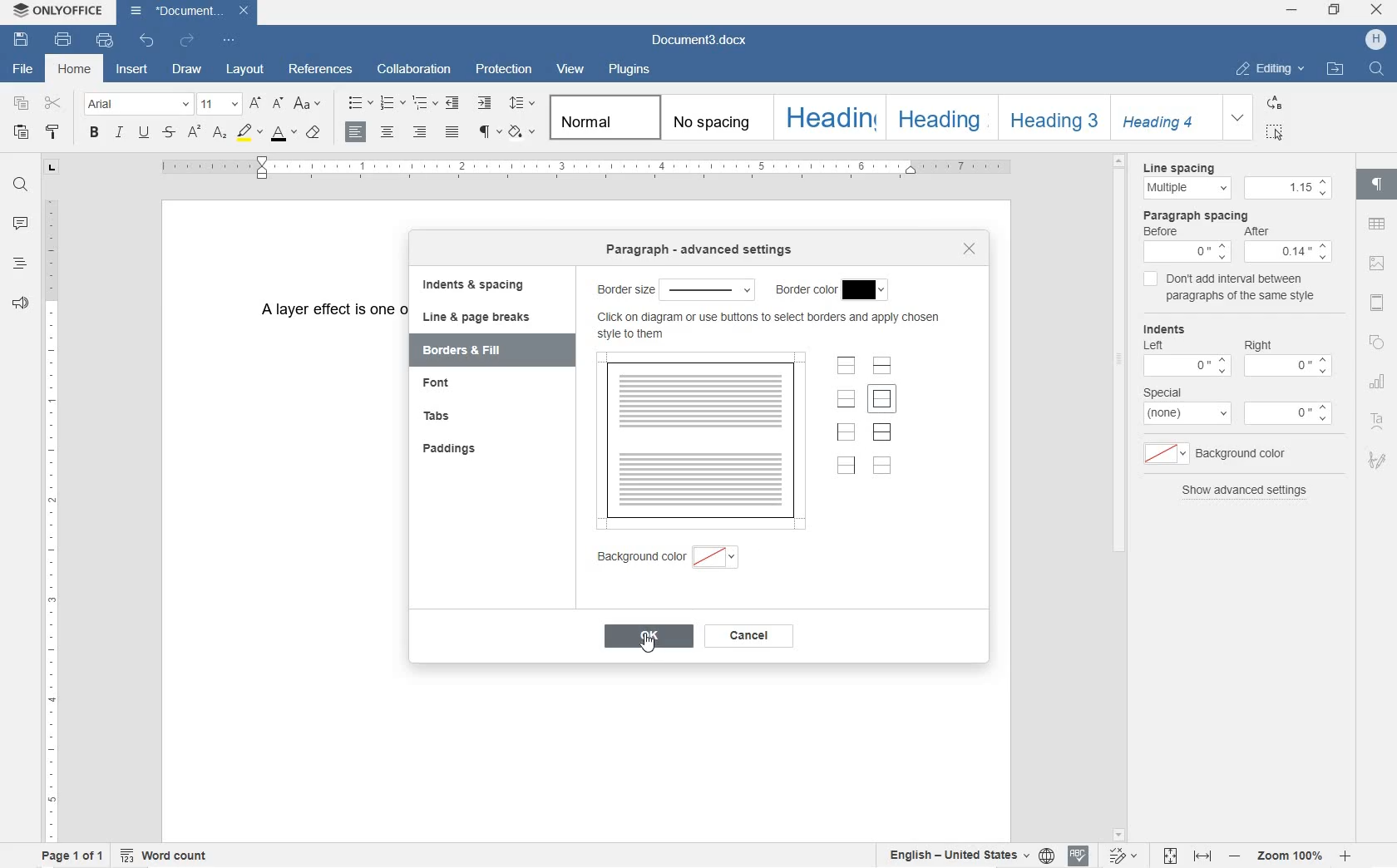  Describe the element at coordinates (1289, 189) in the screenshot. I see `1.15"` at that location.